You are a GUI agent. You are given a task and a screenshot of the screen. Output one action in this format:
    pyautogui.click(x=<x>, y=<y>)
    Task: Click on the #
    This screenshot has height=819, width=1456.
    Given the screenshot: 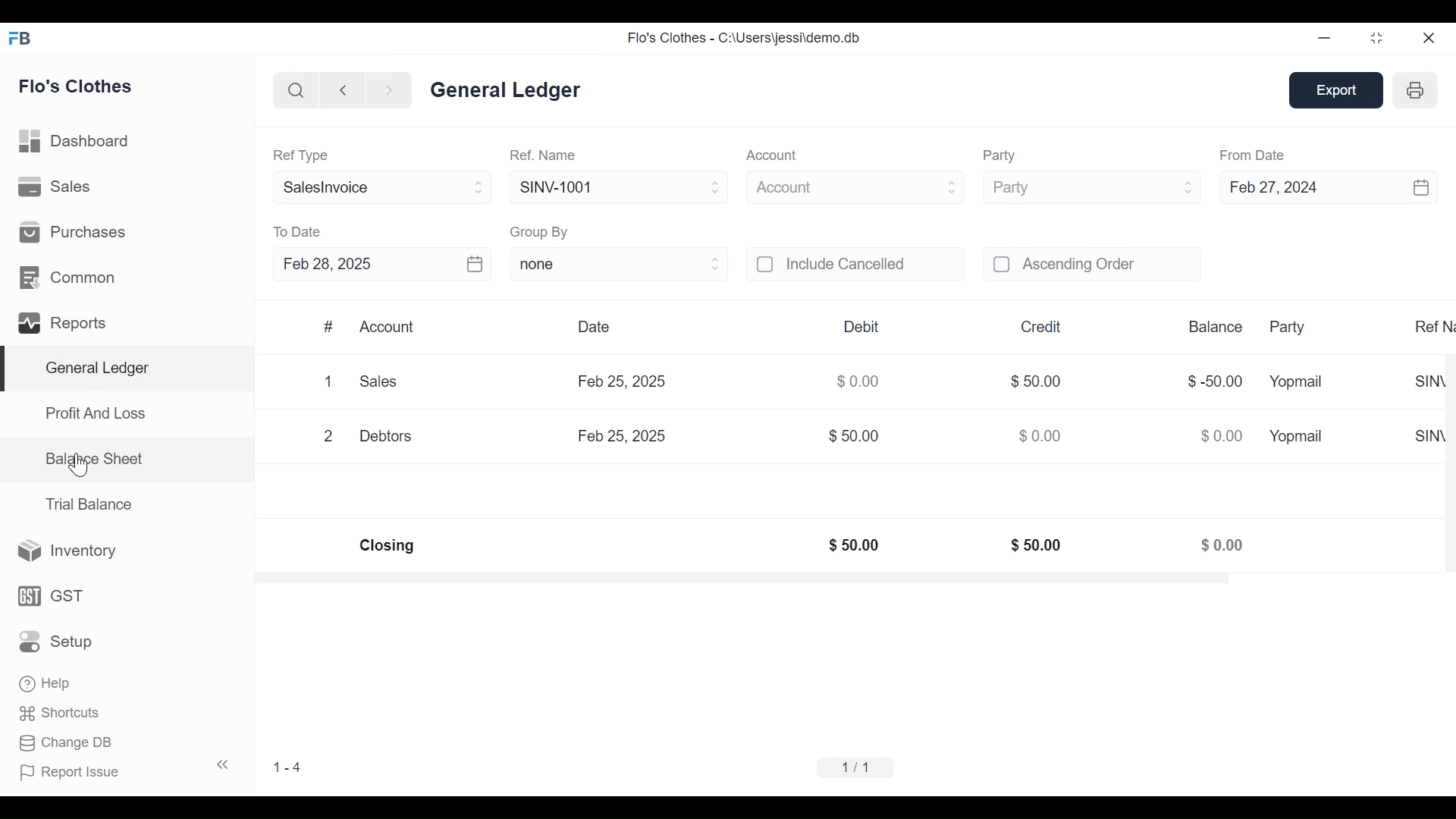 What is the action you would take?
    pyautogui.click(x=330, y=326)
    